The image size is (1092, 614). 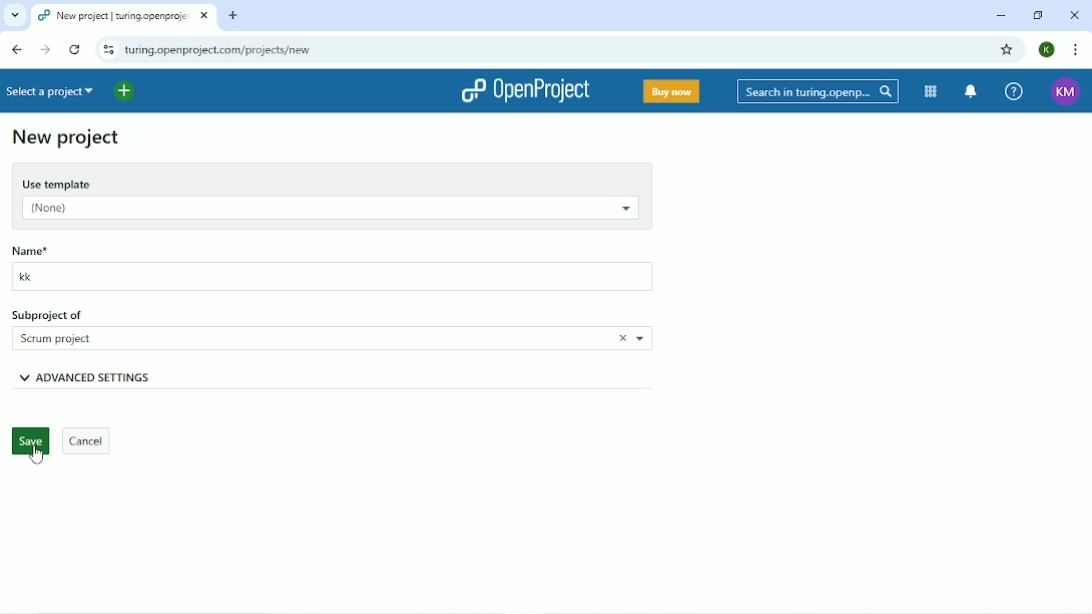 What do you see at coordinates (1066, 92) in the screenshot?
I see `KM` at bounding box center [1066, 92].